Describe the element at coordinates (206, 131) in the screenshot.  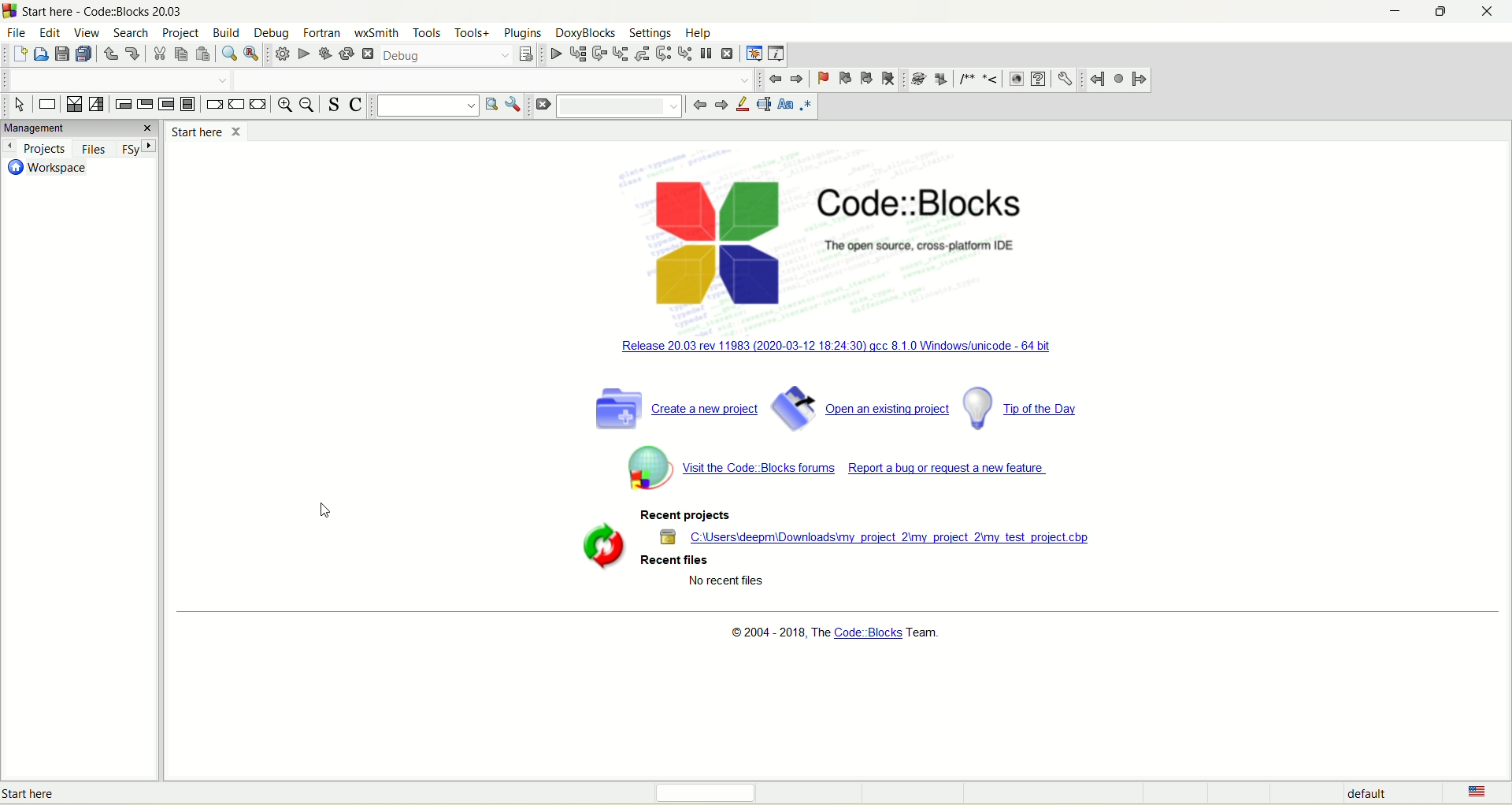
I see `start here` at that location.